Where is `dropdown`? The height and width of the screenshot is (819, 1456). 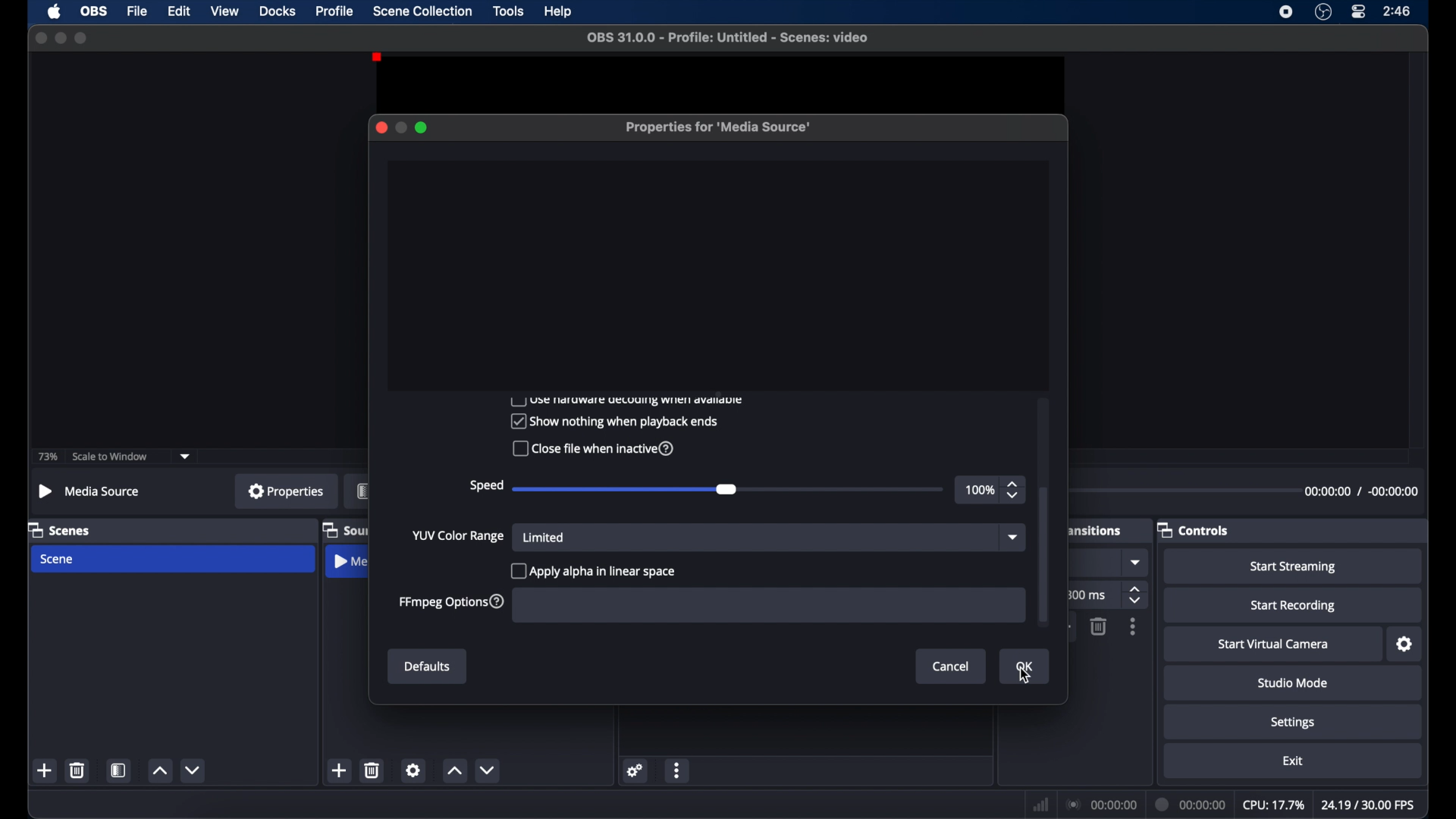
dropdown is located at coordinates (186, 455).